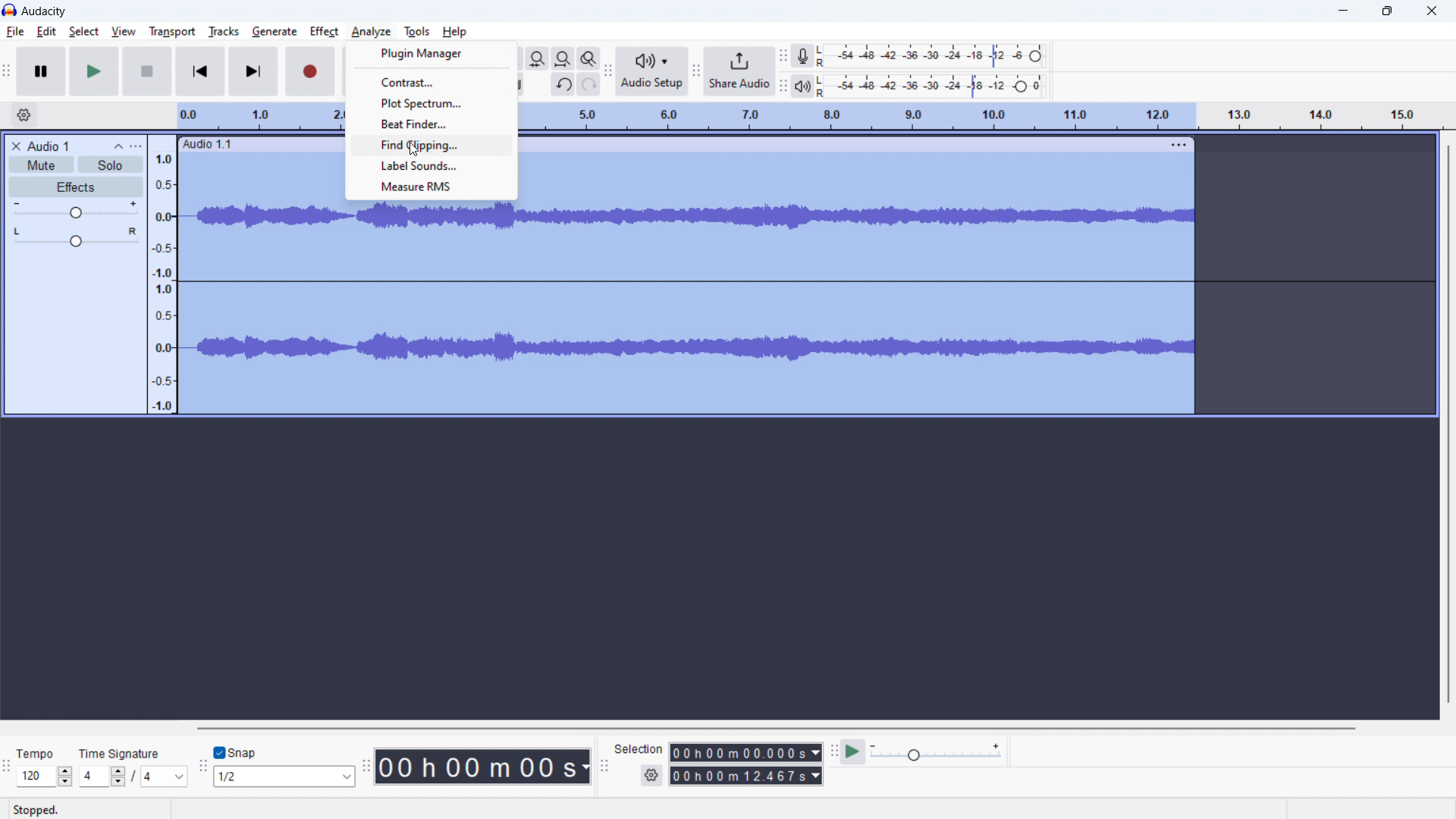 This screenshot has height=819, width=1456. Describe the element at coordinates (371, 32) in the screenshot. I see `analyze` at that location.